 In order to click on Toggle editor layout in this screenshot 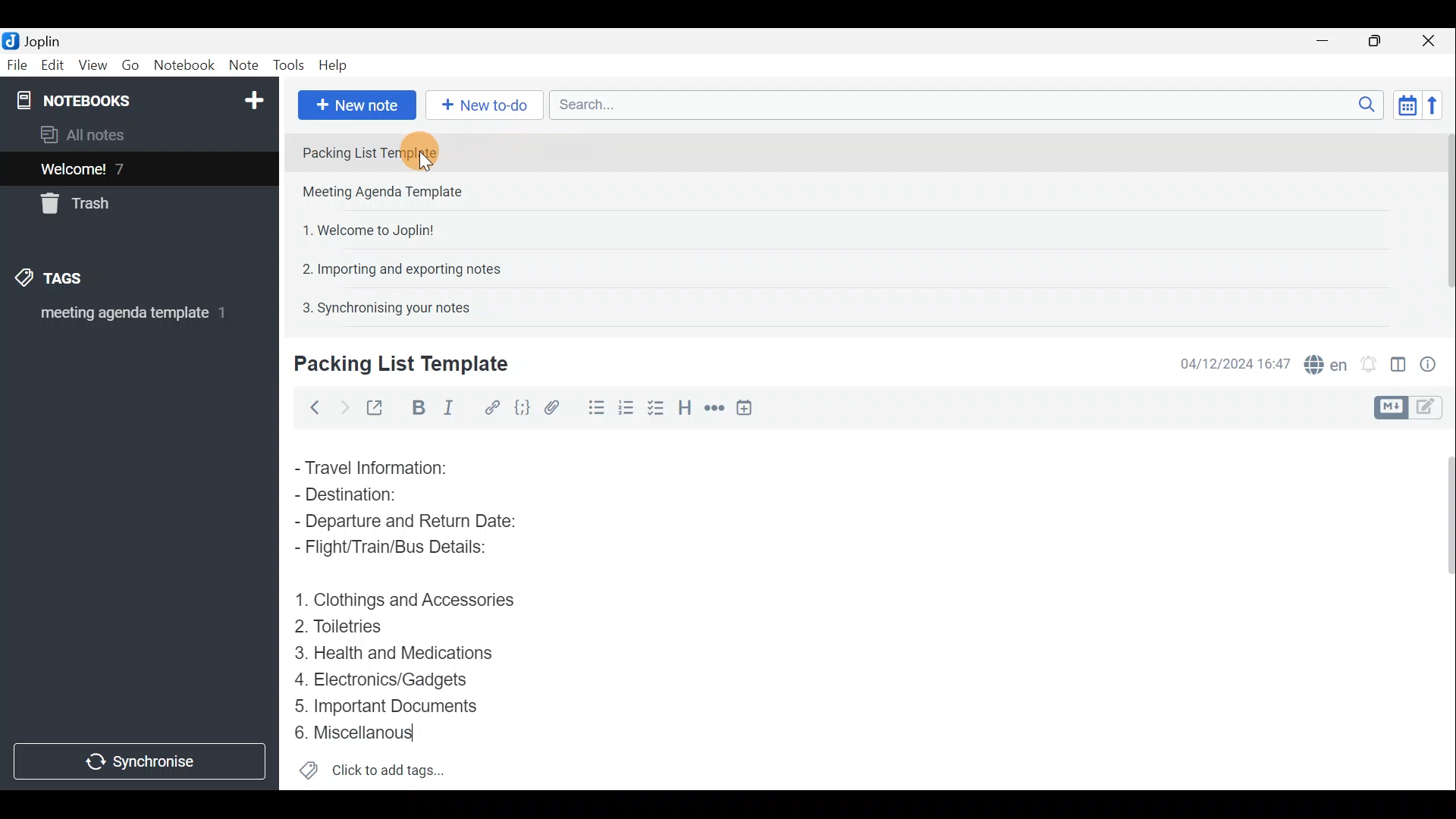, I will do `click(1398, 359)`.